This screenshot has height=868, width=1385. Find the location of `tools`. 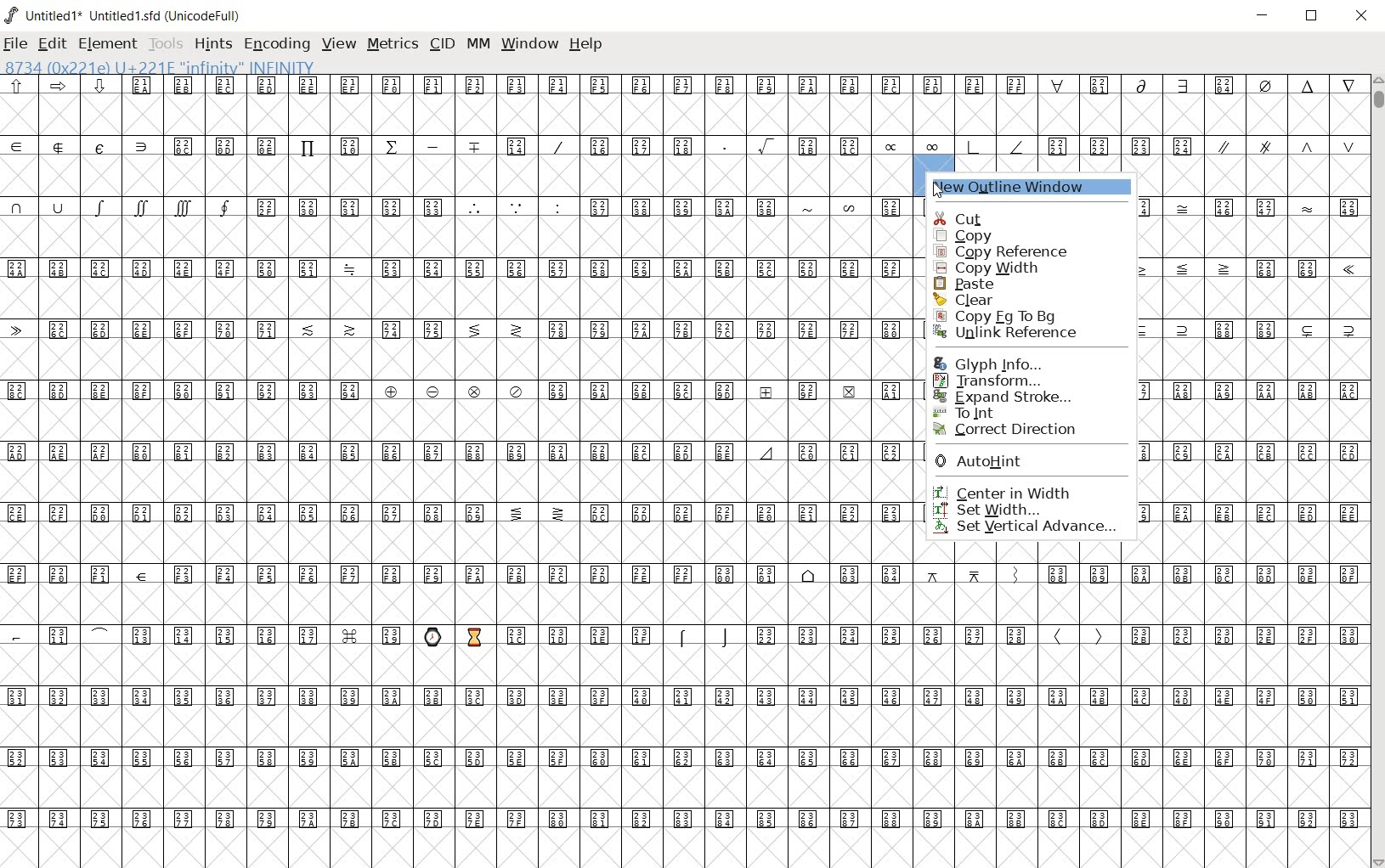

tools is located at coordinates (167, 44).